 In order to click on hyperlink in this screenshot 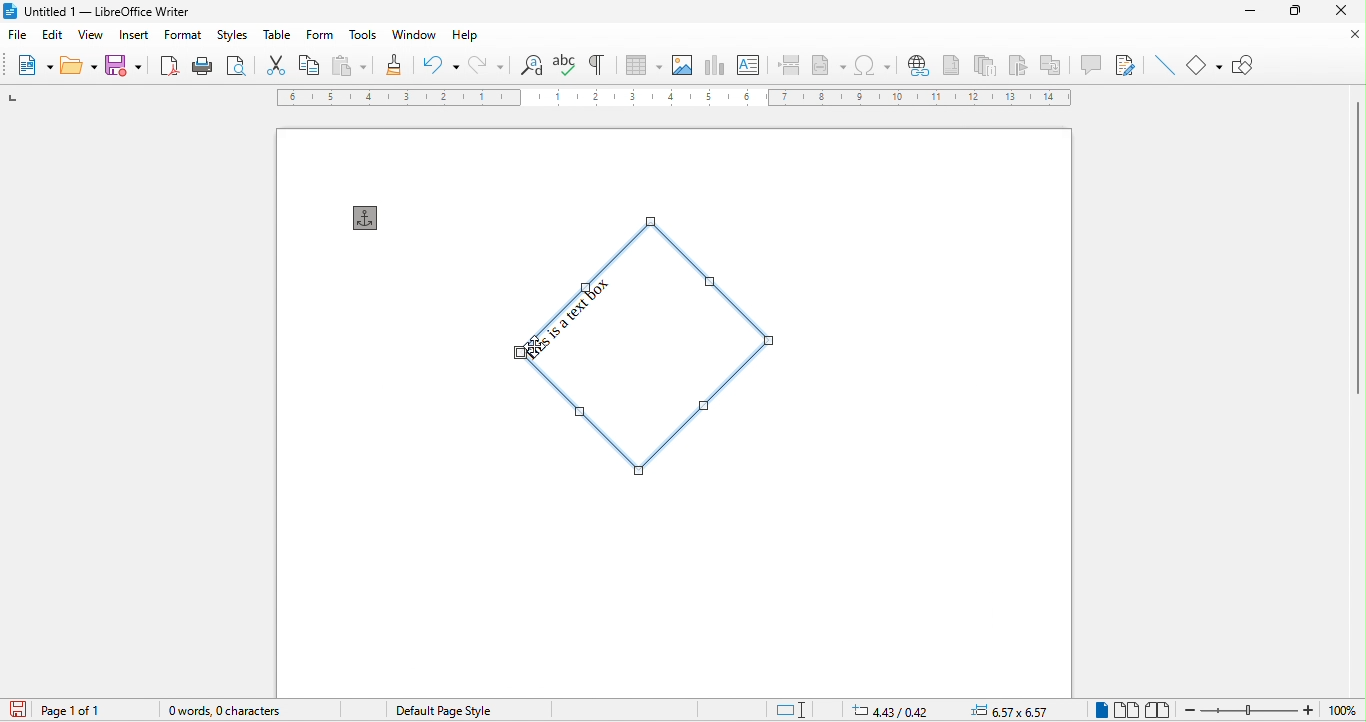, I will do `click(916, 65)`.